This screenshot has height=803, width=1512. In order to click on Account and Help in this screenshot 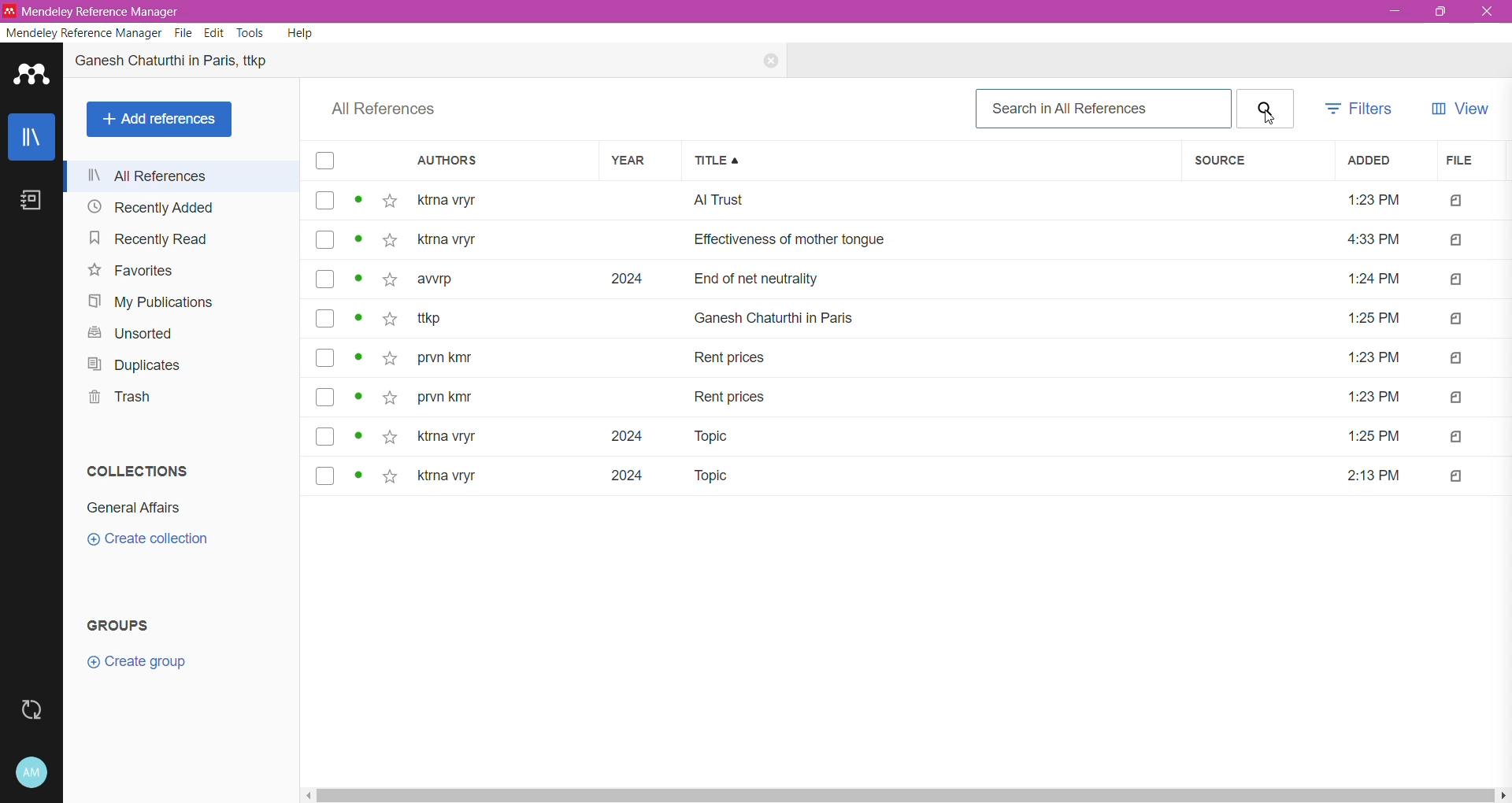, I will do `click(31, 772)`.